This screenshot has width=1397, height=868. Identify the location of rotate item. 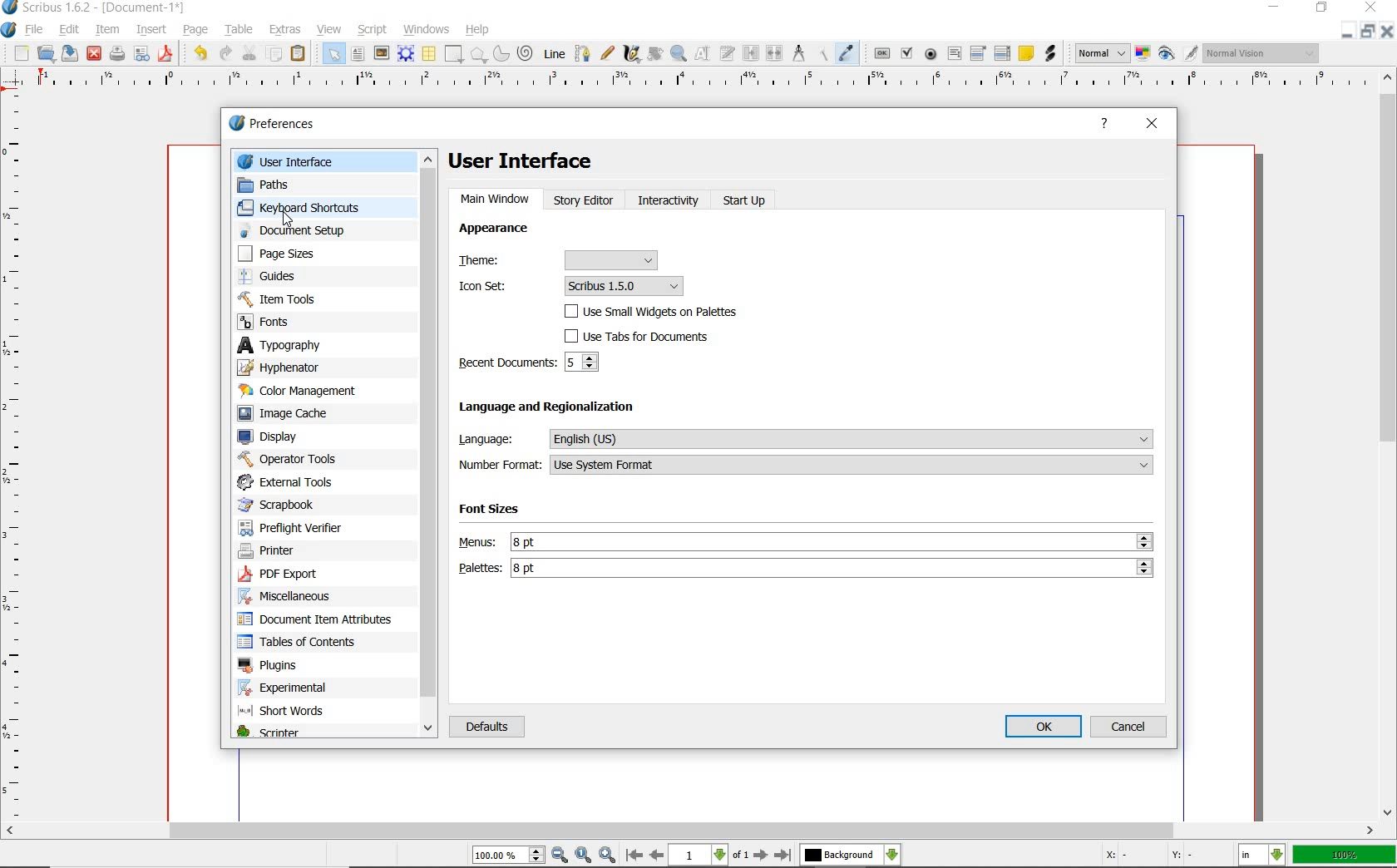
(655, 55).